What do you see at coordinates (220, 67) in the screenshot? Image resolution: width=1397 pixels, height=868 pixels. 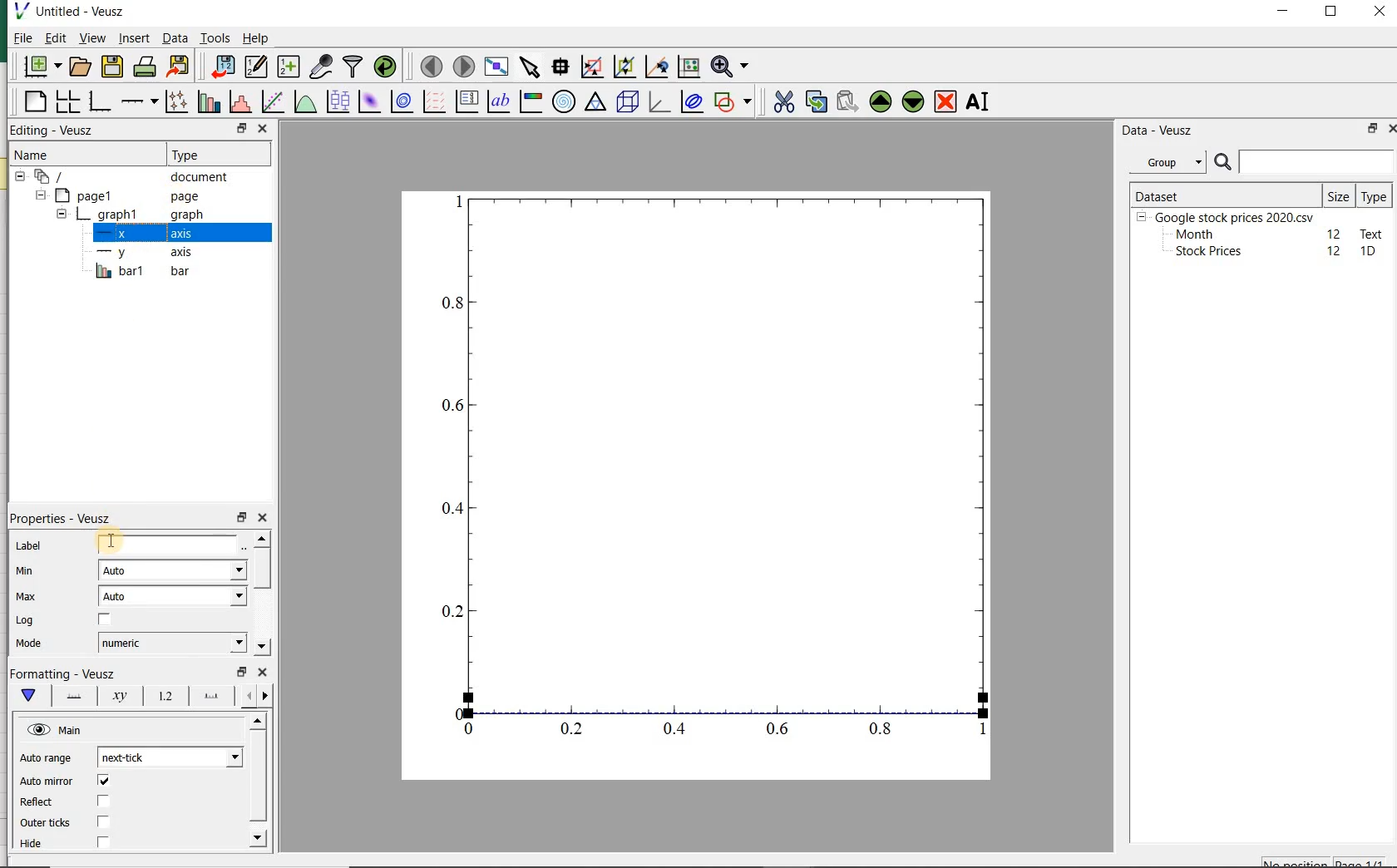 I see `import data into Veusz` at bounding box center [220, 67].